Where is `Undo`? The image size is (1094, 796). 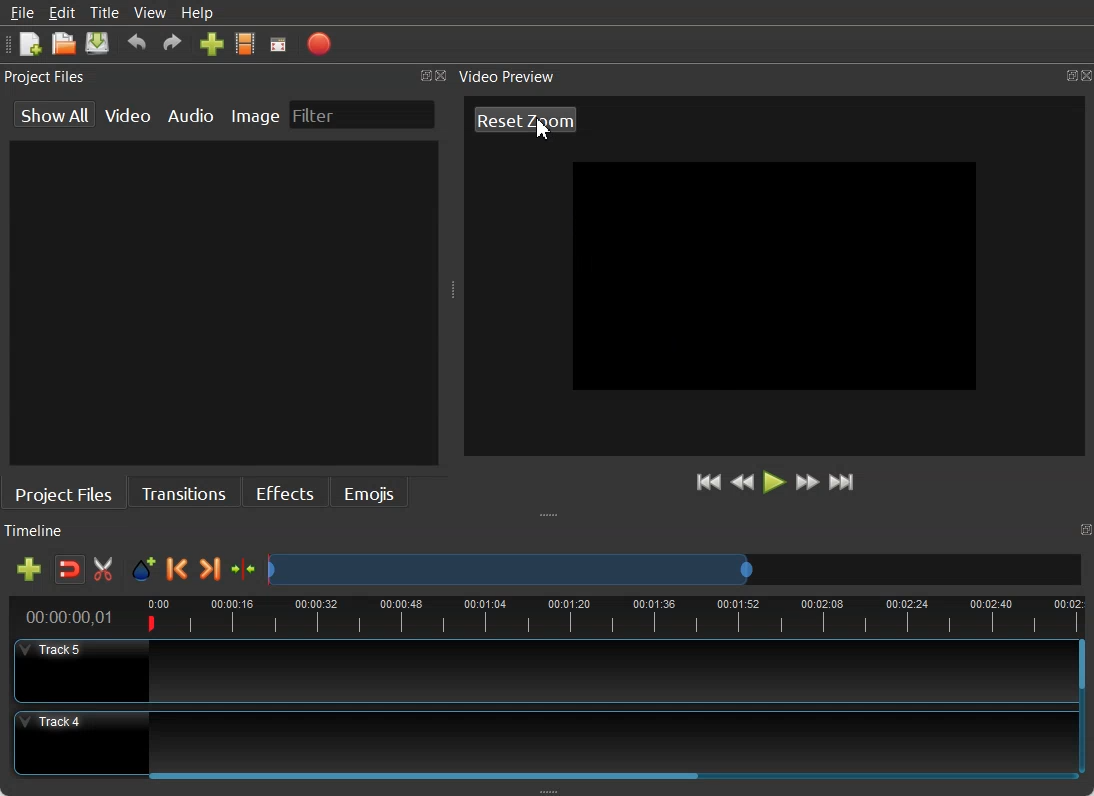
Undo is located at coordinates (136, 42).